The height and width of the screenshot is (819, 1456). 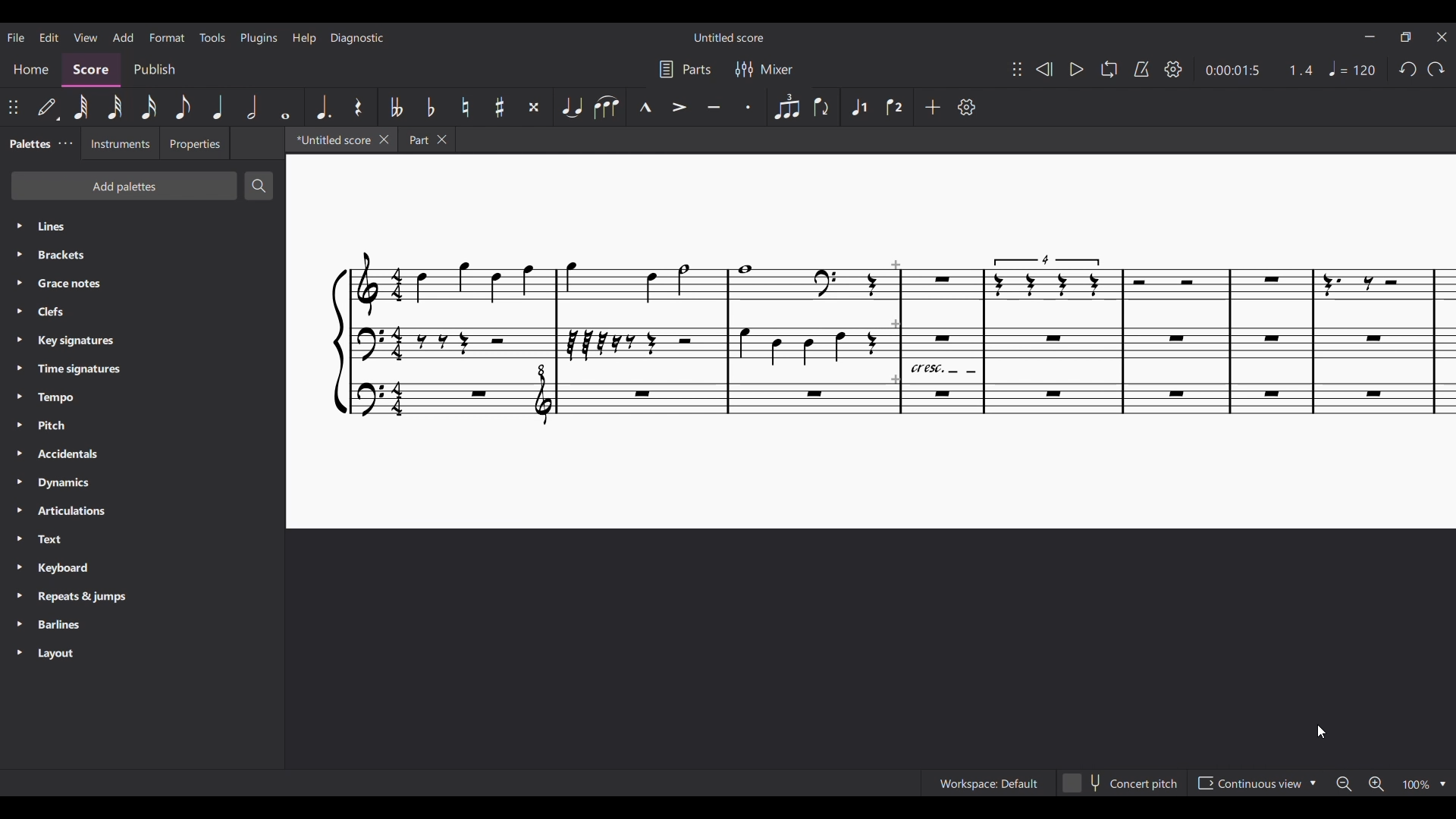 What do you see at coordinates (571, 107) in the screenshot?
I see `Tie` at bounding box center [571, 107].